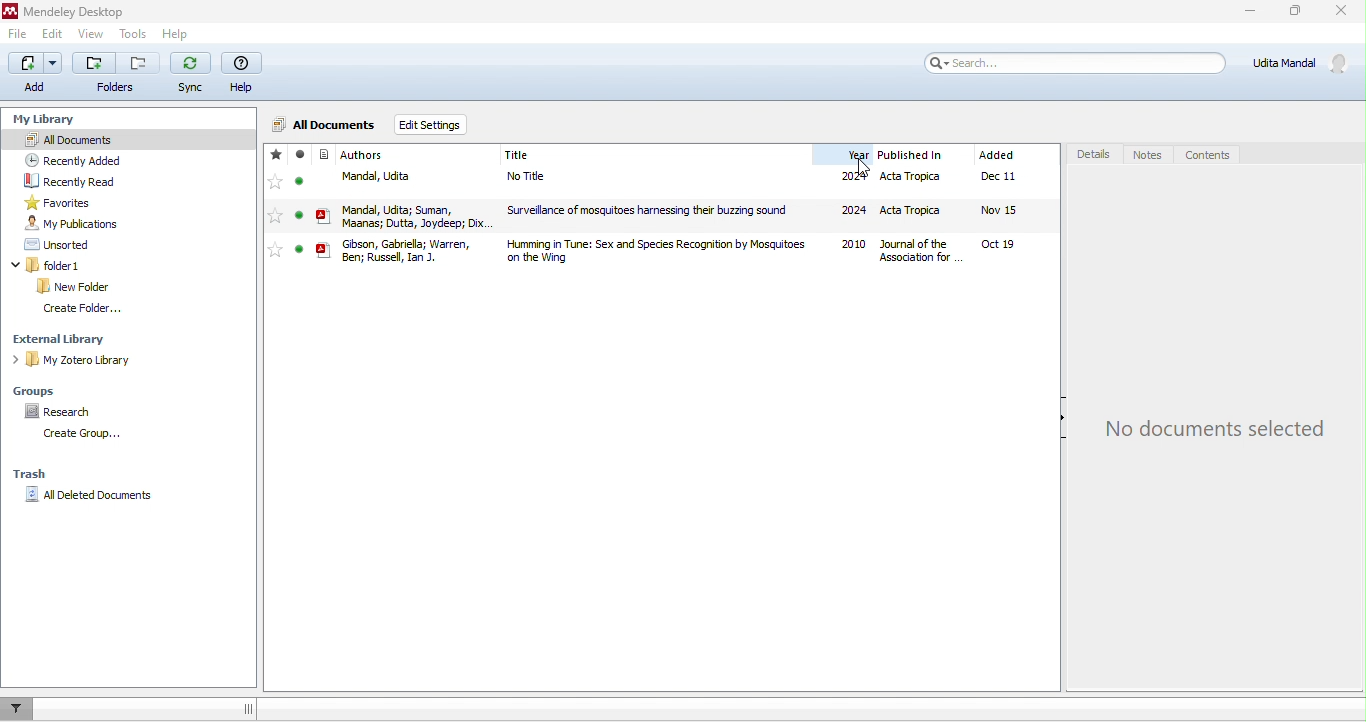 The height and width of the screenshot is (722, 1366). What do you see at coordinates (50, 117) in the screenshot?
I see `my library` at bounding box center [50, 117].